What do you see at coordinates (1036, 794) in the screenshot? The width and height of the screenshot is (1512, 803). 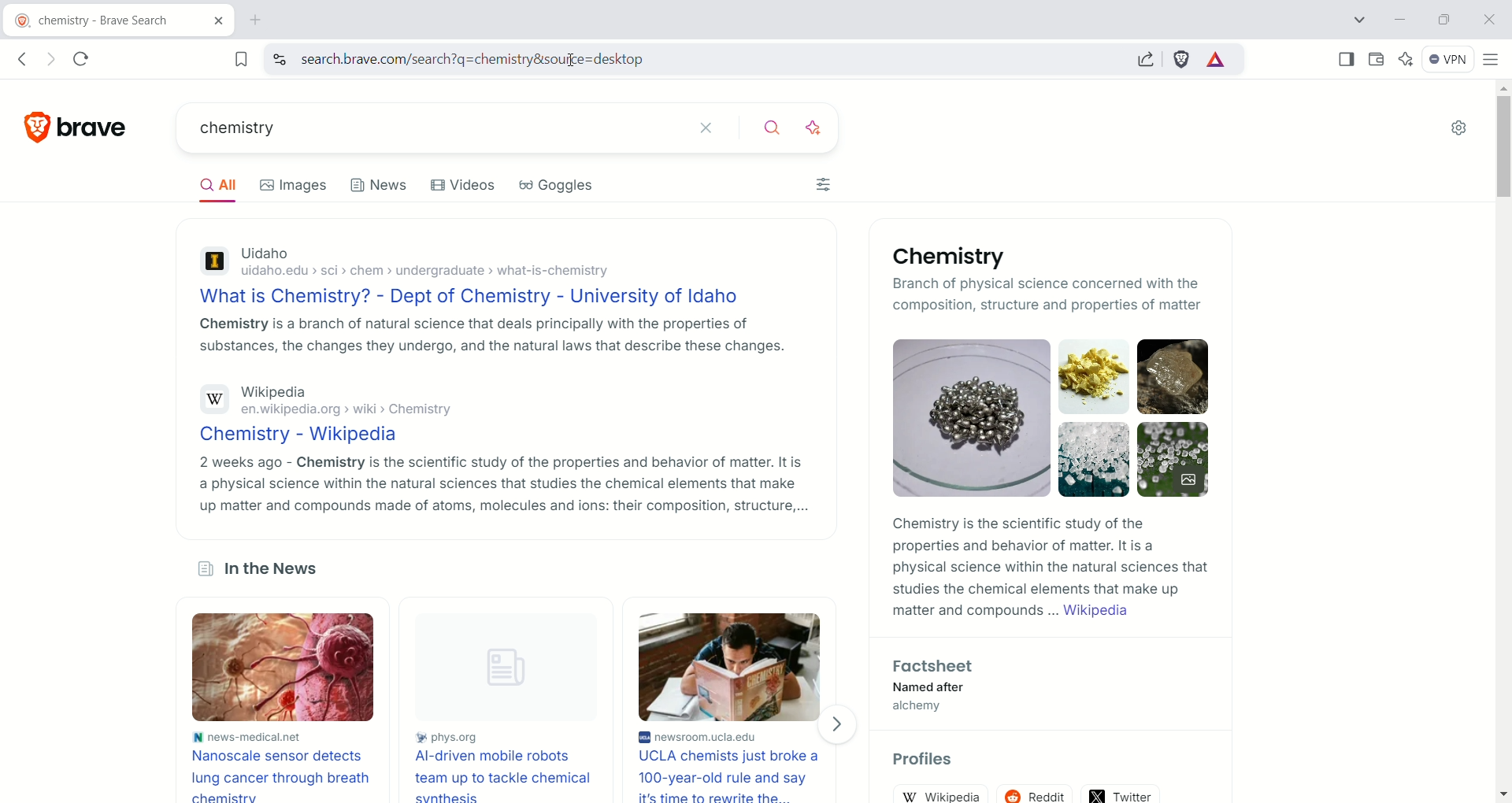 I see `reddit` at bounding box center [1036, 794].